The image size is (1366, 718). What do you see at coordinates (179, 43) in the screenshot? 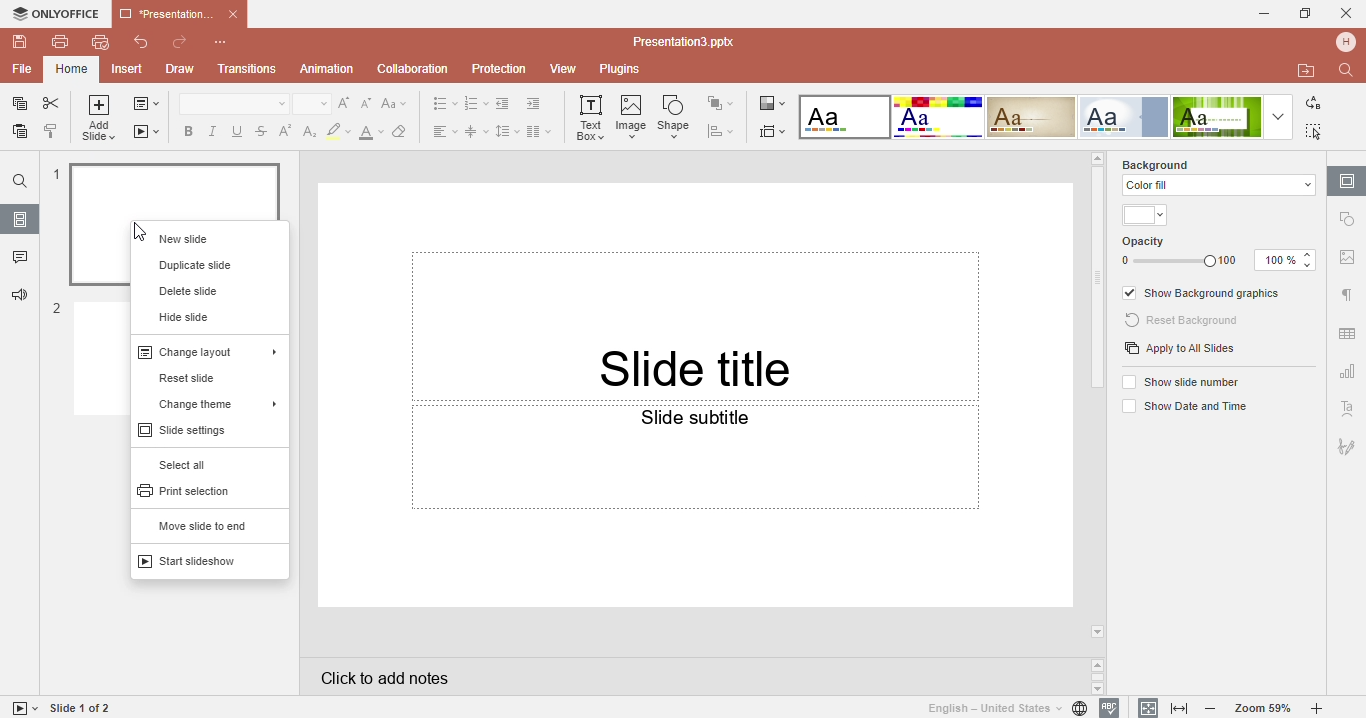
I see `Redo` at bounding box center [179, 43].